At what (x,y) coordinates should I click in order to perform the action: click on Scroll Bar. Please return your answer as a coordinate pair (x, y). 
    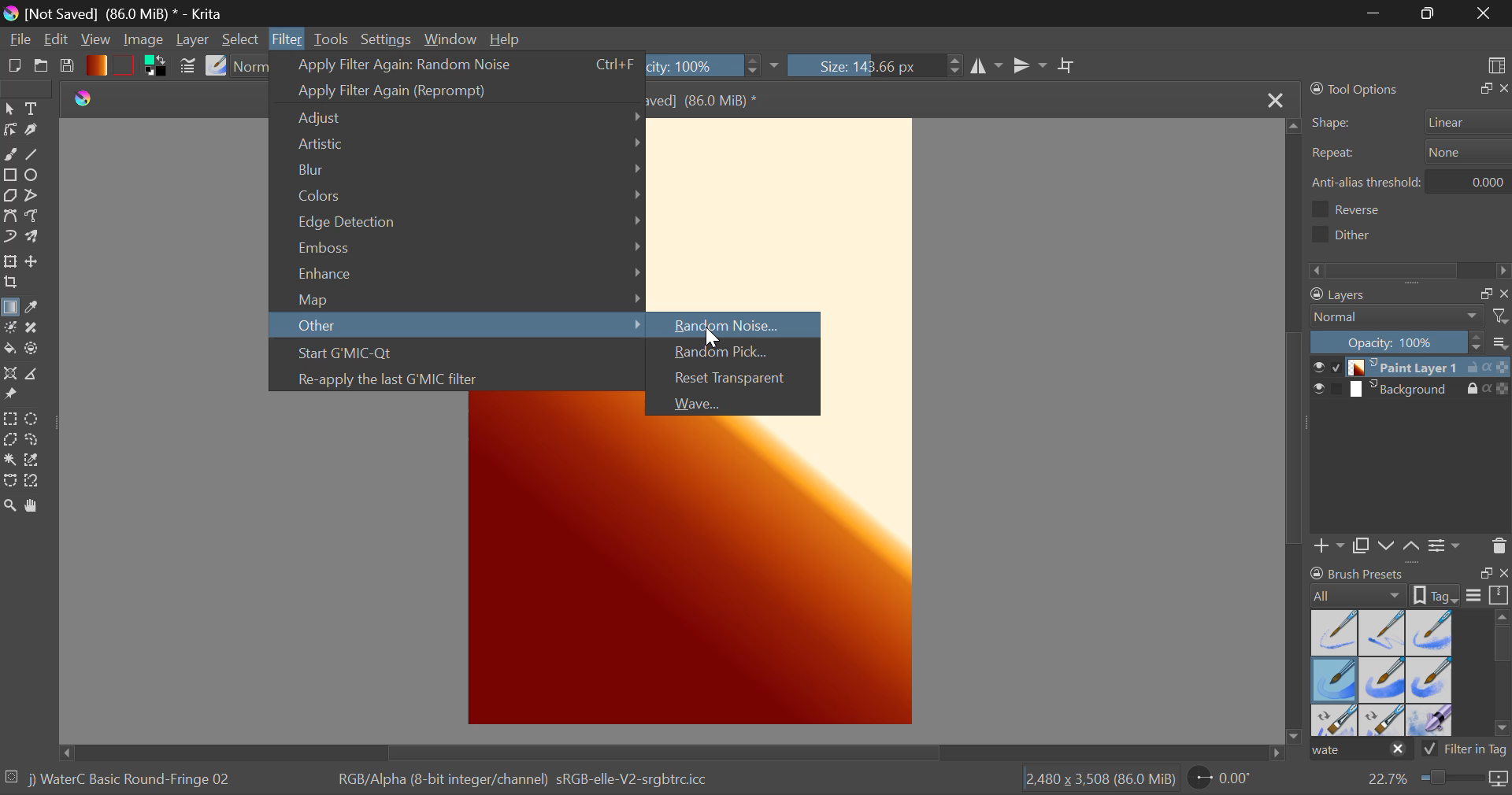
    Looking at the image, I should click on (1296, 430).